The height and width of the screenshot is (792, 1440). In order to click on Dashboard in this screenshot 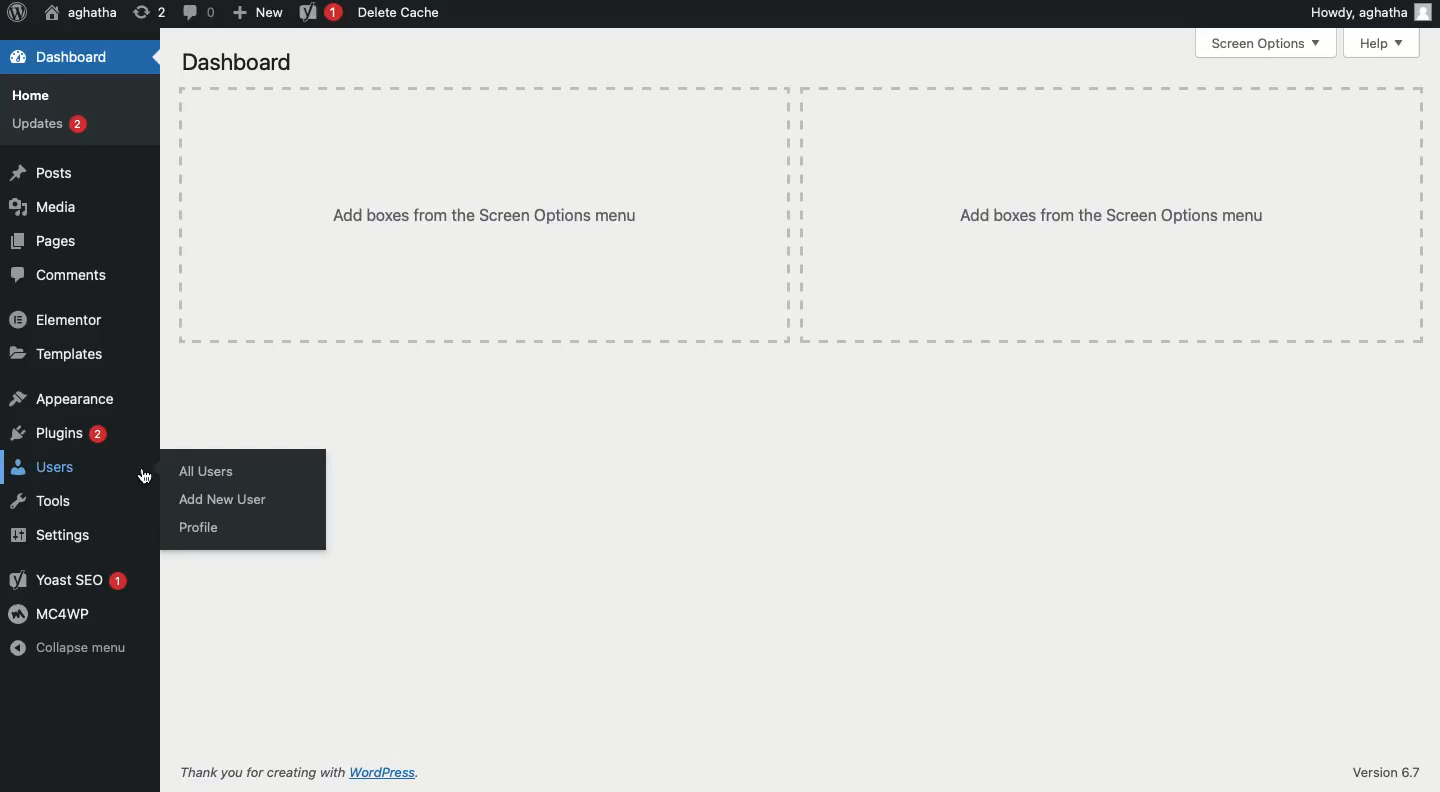, I will do `click(236, 63)`.